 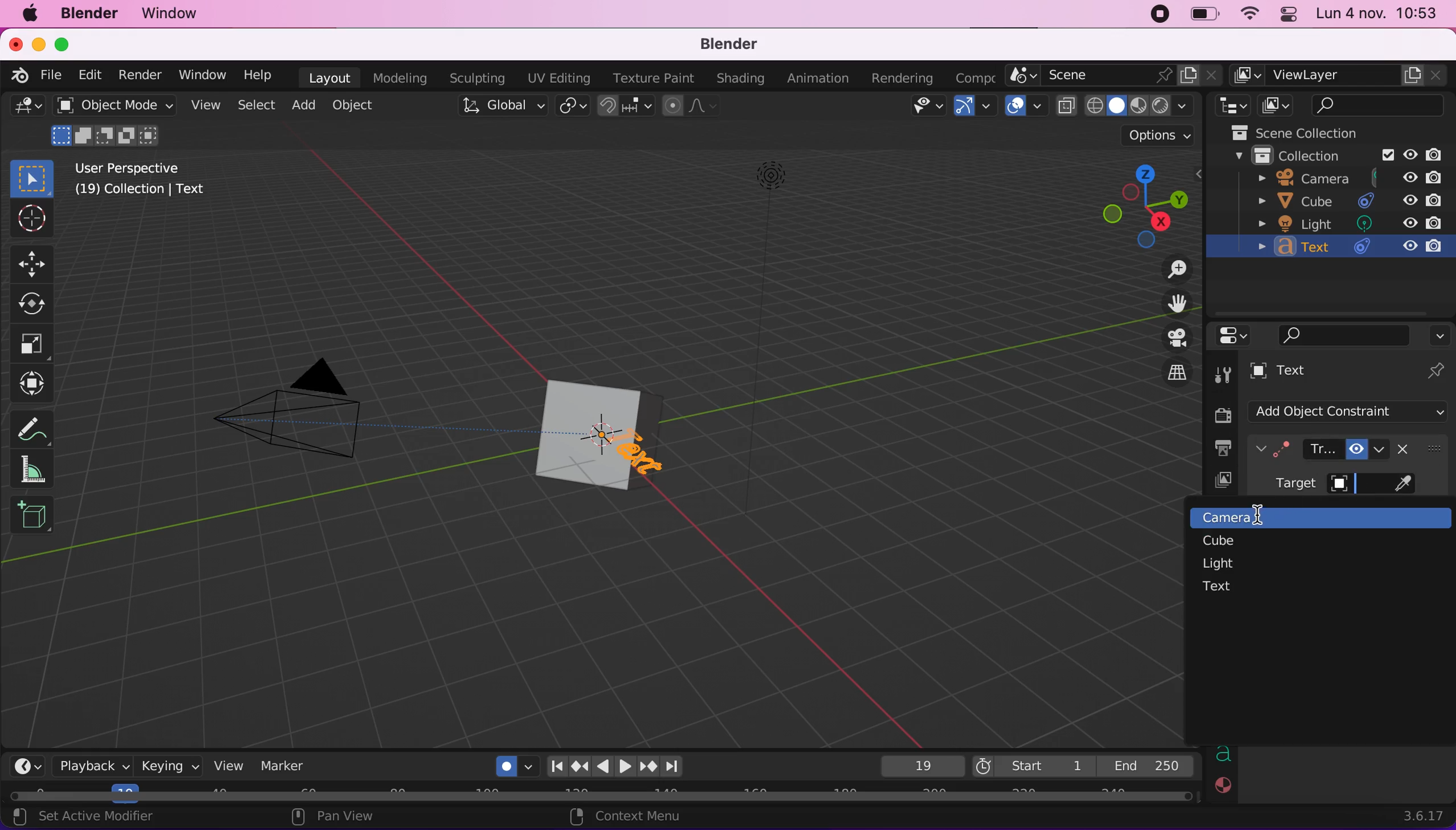 I want to click on switch the current view, so click(x=1176, y=371).